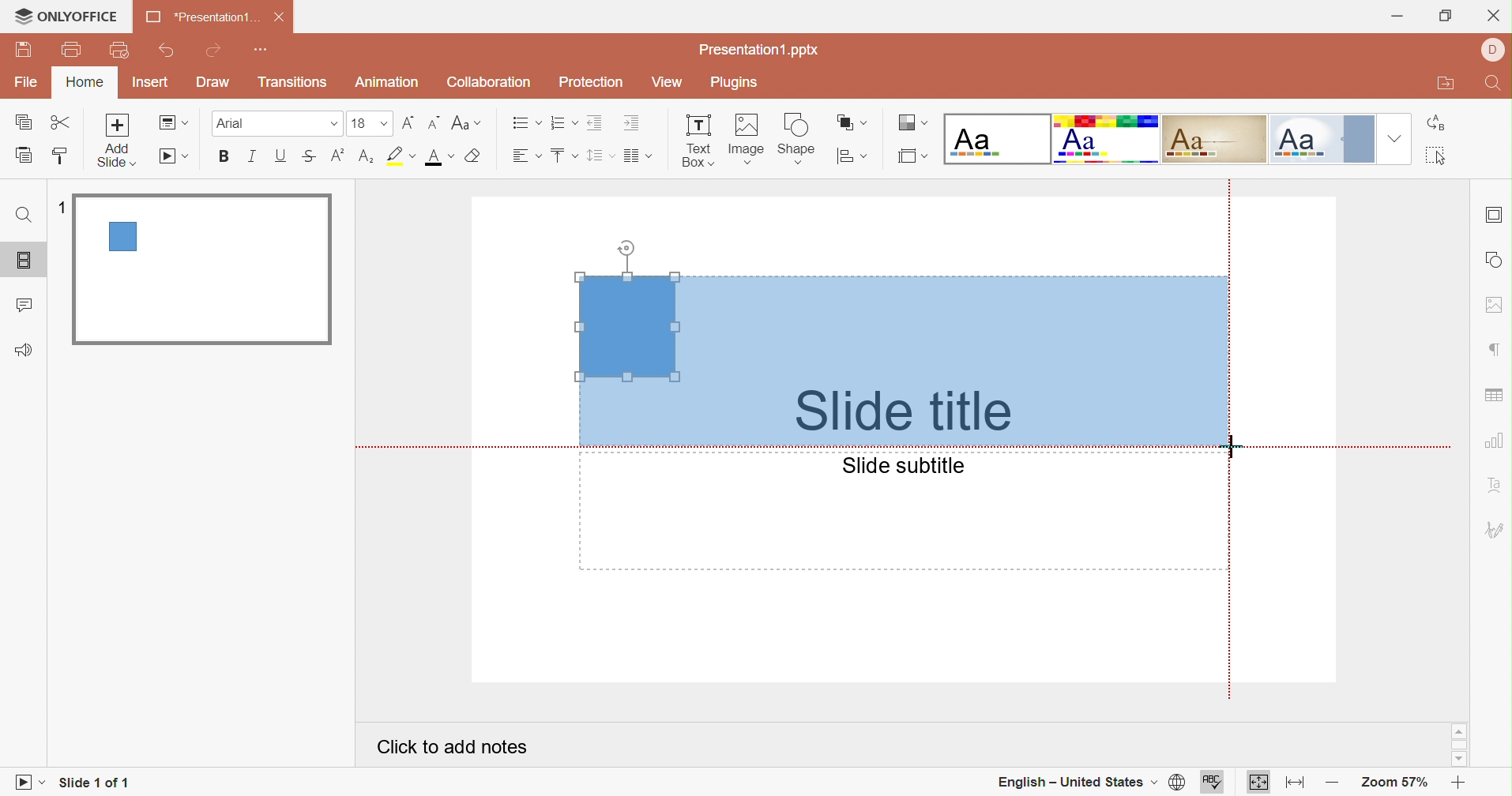 This screenshot has width=1512, height=796. Describe the element at coordinates (795, 141) in the screenshot. I see `Shape` at that location.